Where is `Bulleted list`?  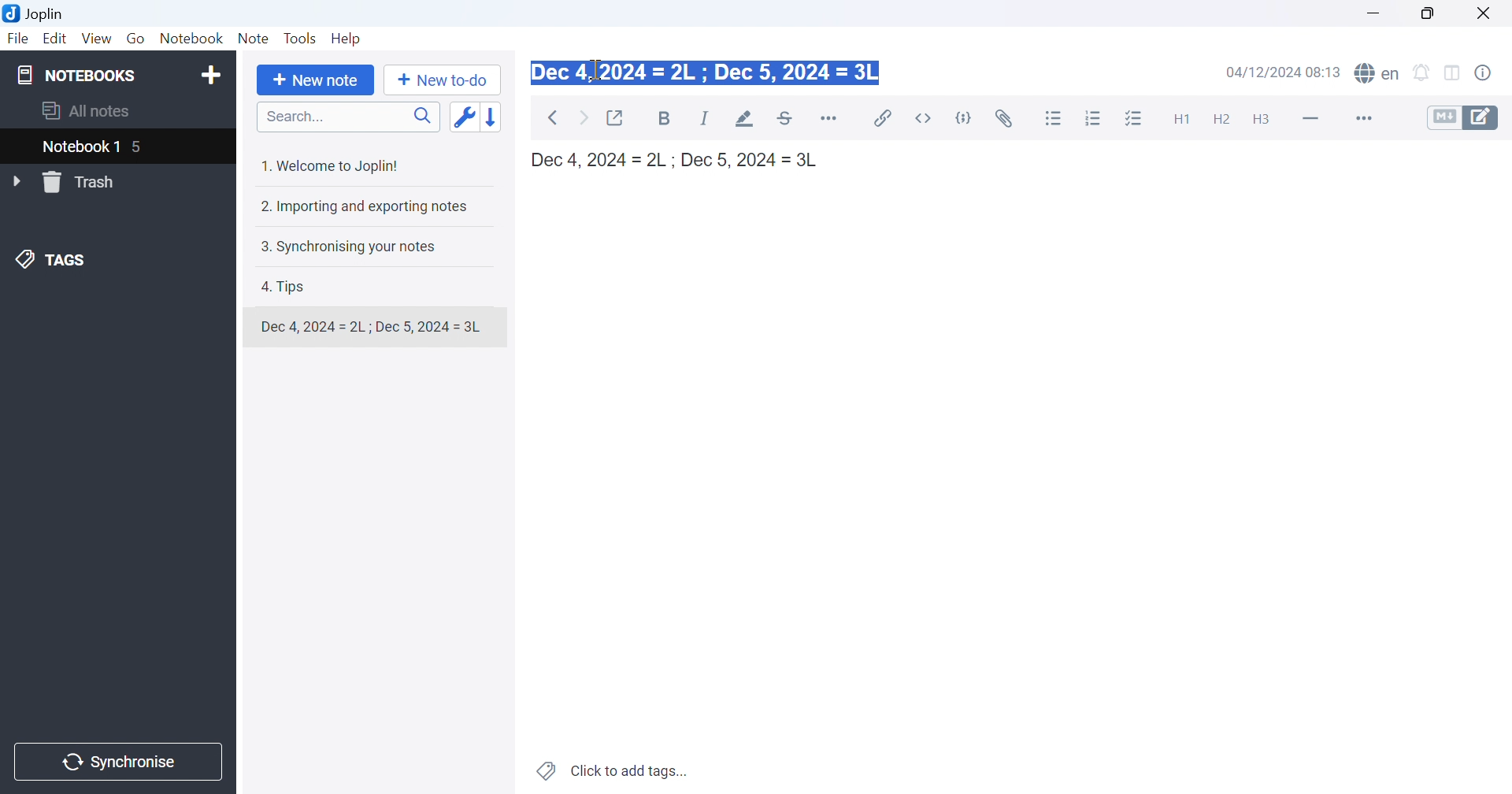 Bulleted list is located at coordinates (1056, 119).